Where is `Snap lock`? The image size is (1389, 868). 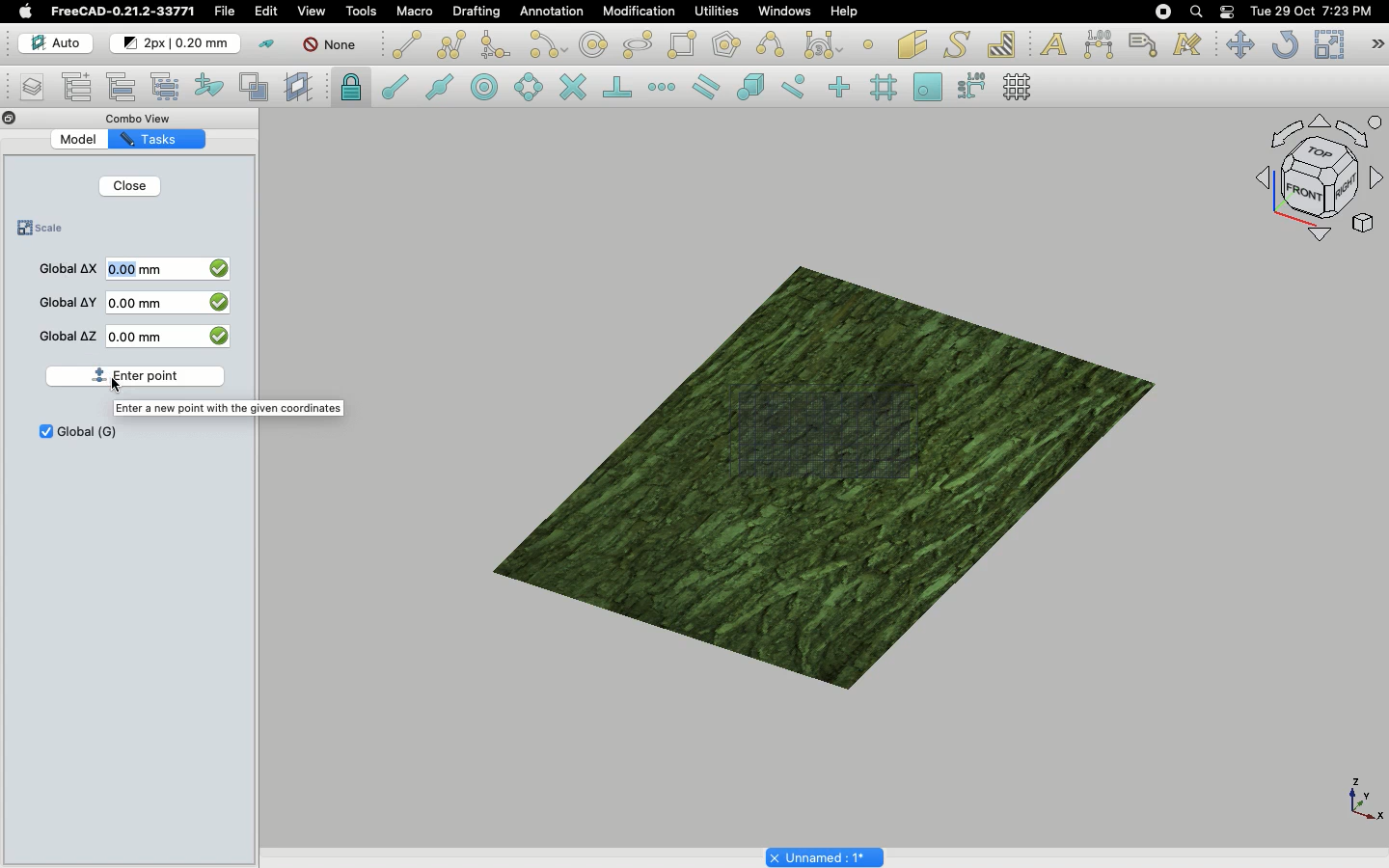
Snap lock is located at coordinates (351, 87).